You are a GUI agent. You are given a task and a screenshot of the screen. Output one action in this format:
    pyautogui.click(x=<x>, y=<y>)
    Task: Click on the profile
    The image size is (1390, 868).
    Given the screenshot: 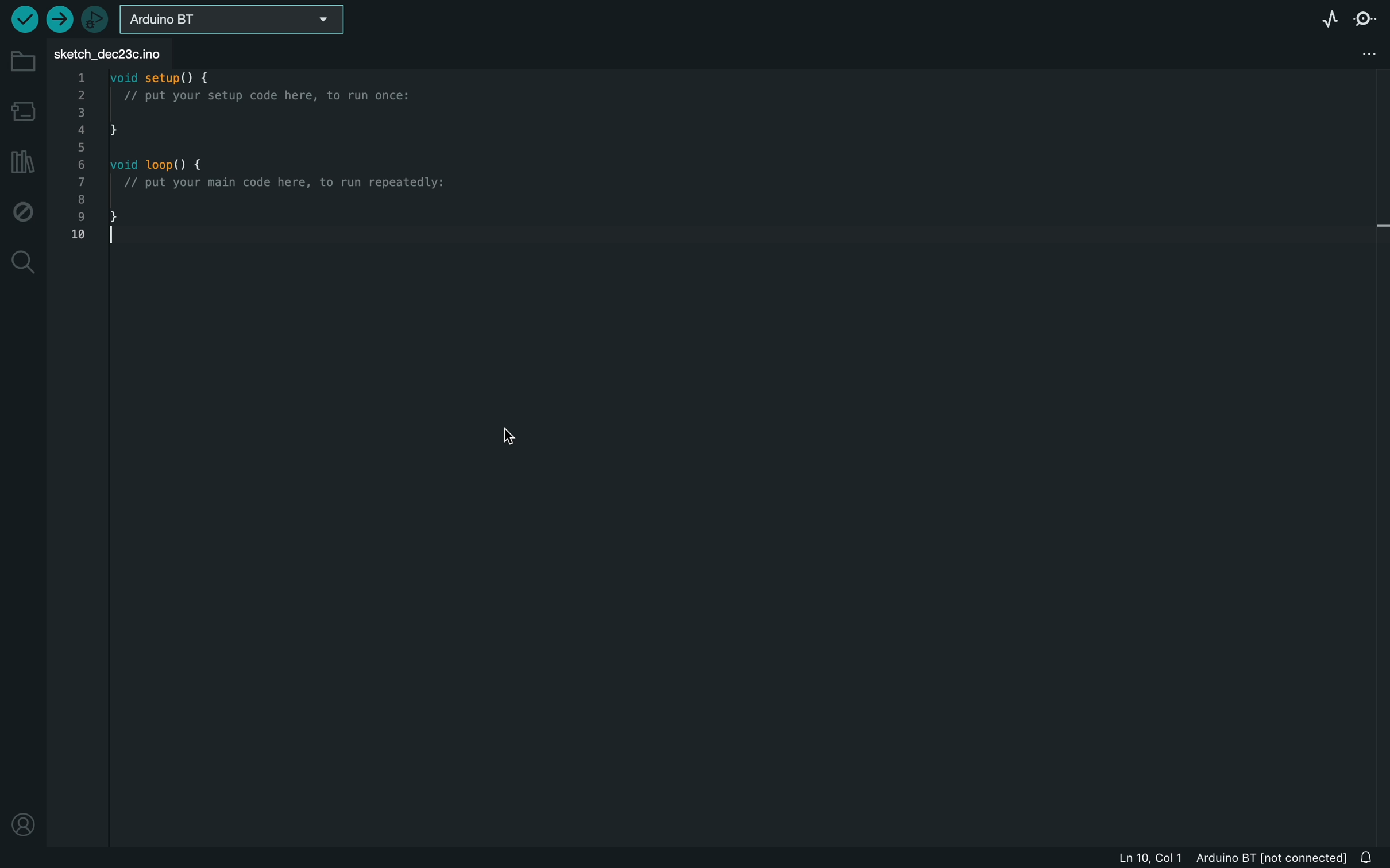 What is the action you would take?
    pyautogui.click(x=22, y=816)
    